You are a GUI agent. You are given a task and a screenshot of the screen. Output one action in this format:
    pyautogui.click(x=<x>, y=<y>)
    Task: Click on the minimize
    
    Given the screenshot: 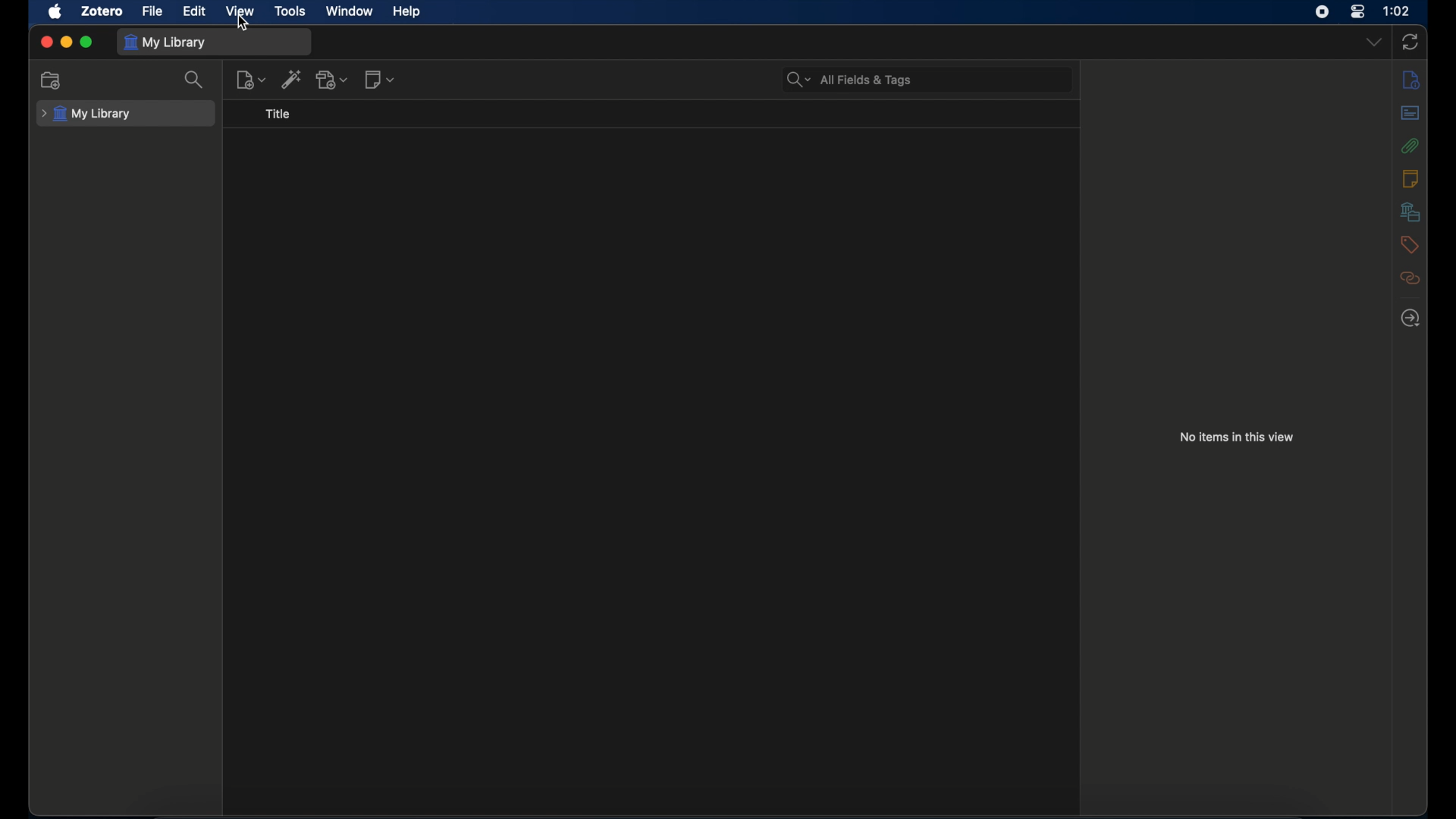 What is the action you would take?
    pyautogui.click(x=67, y=42)
    